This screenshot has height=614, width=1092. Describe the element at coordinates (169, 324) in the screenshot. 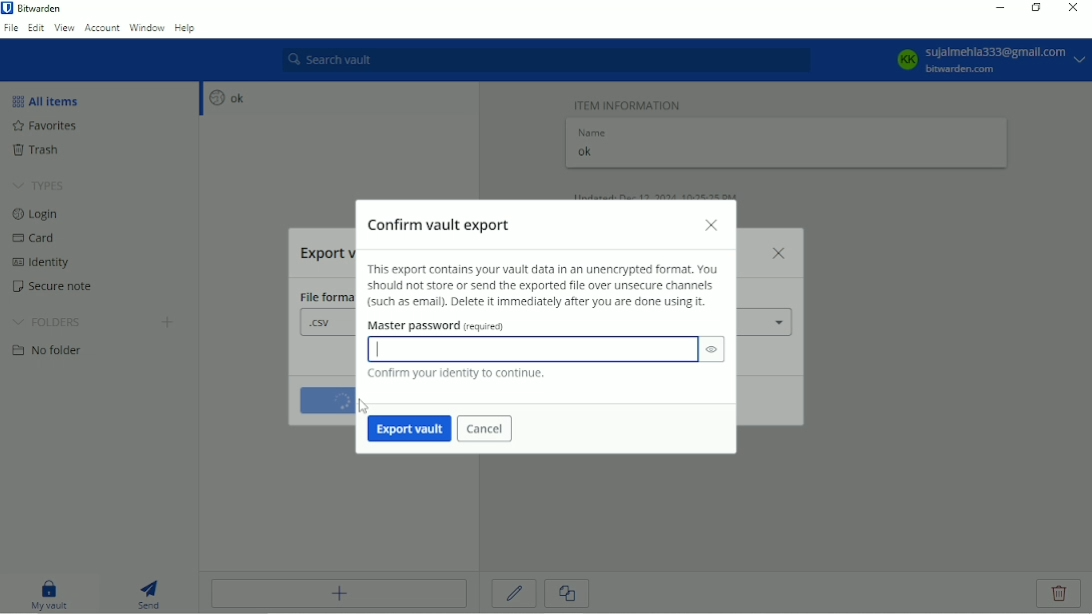

I see `Create folder` at that location.